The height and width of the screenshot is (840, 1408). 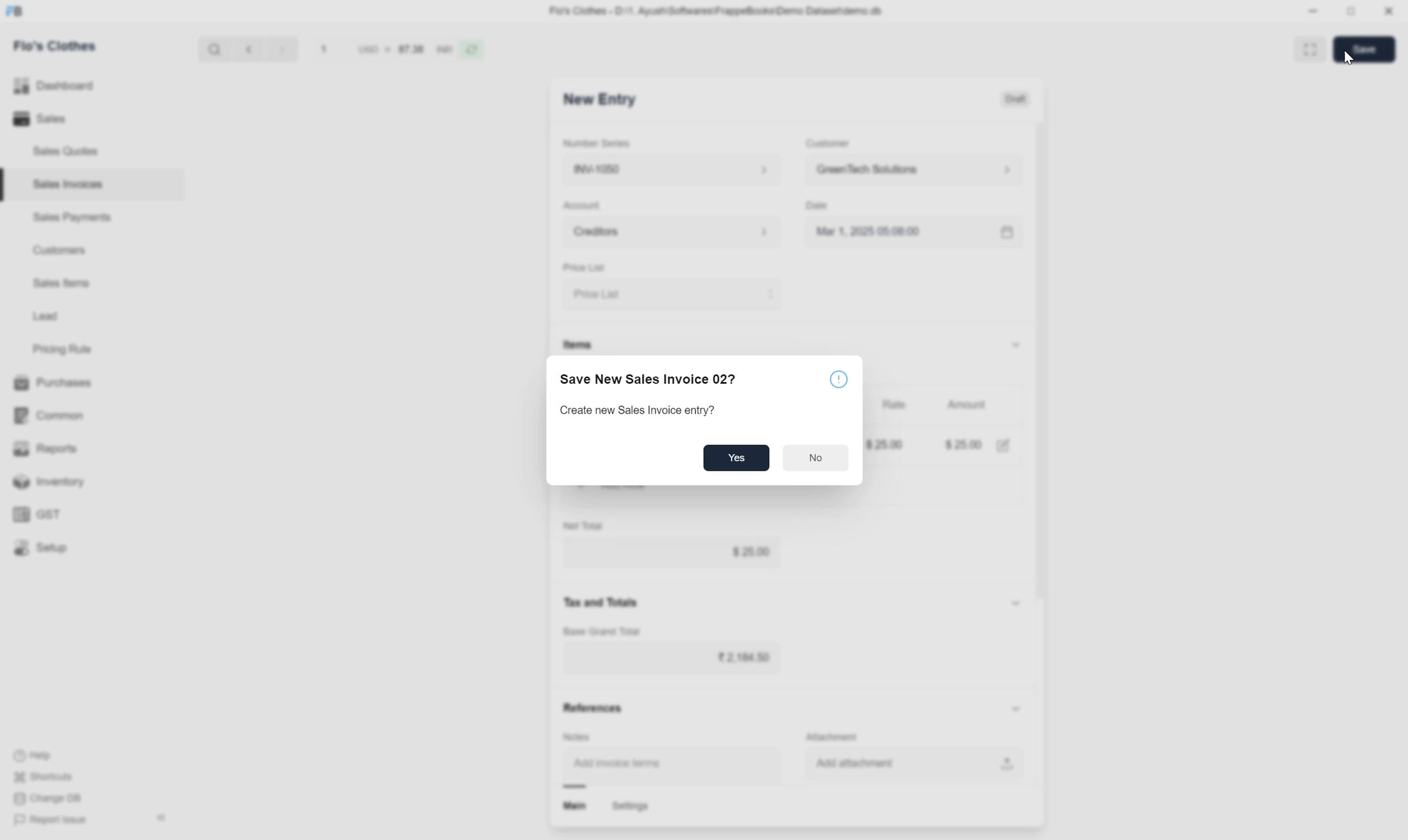 I want to click on show or hide items, so click(x=1016, y=342).